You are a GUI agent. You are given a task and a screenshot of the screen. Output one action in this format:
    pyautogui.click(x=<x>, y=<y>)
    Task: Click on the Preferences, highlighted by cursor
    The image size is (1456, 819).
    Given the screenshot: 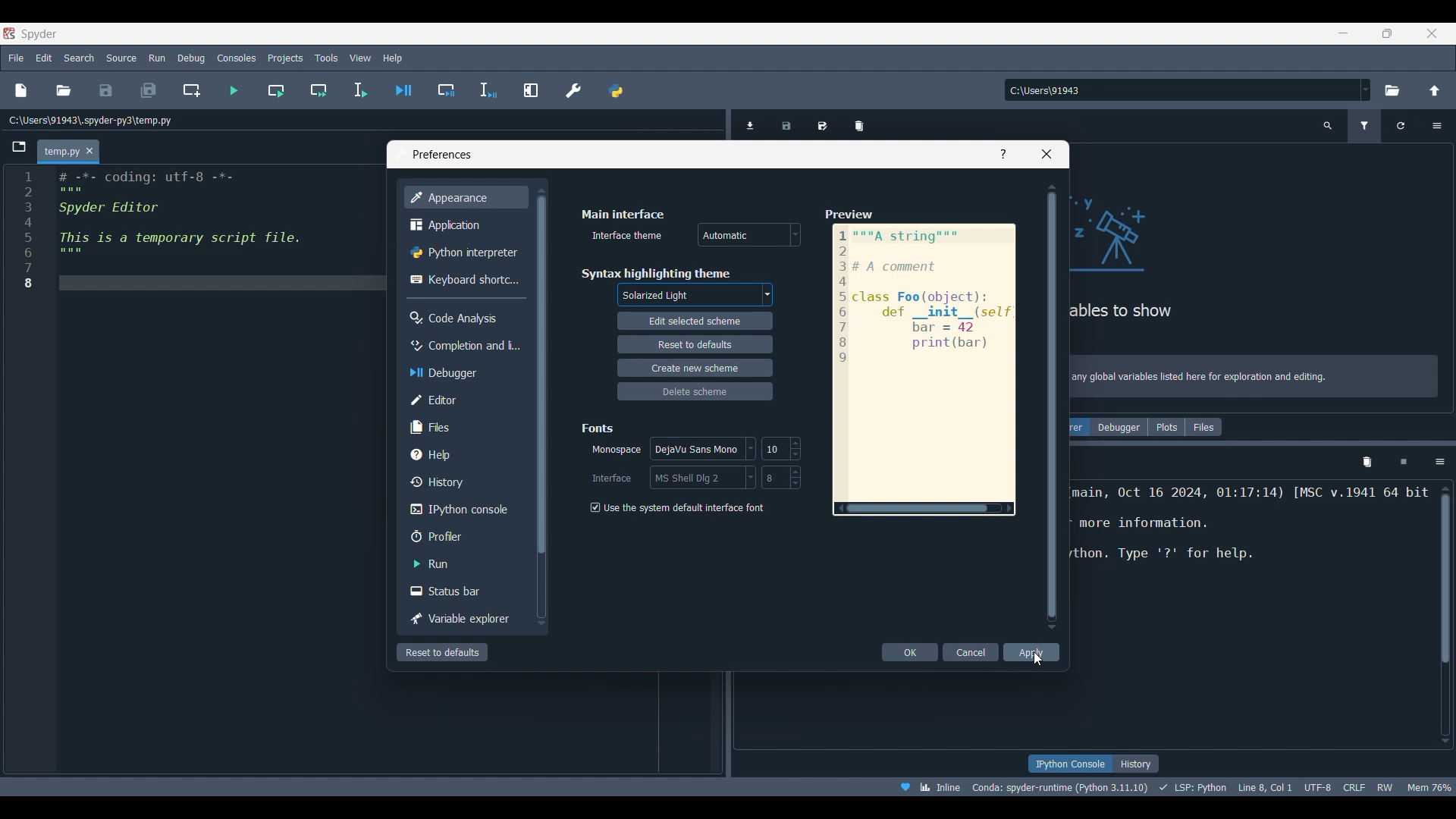 What is the action you would take?
    pyautogui.click(x=569, y=88)
    